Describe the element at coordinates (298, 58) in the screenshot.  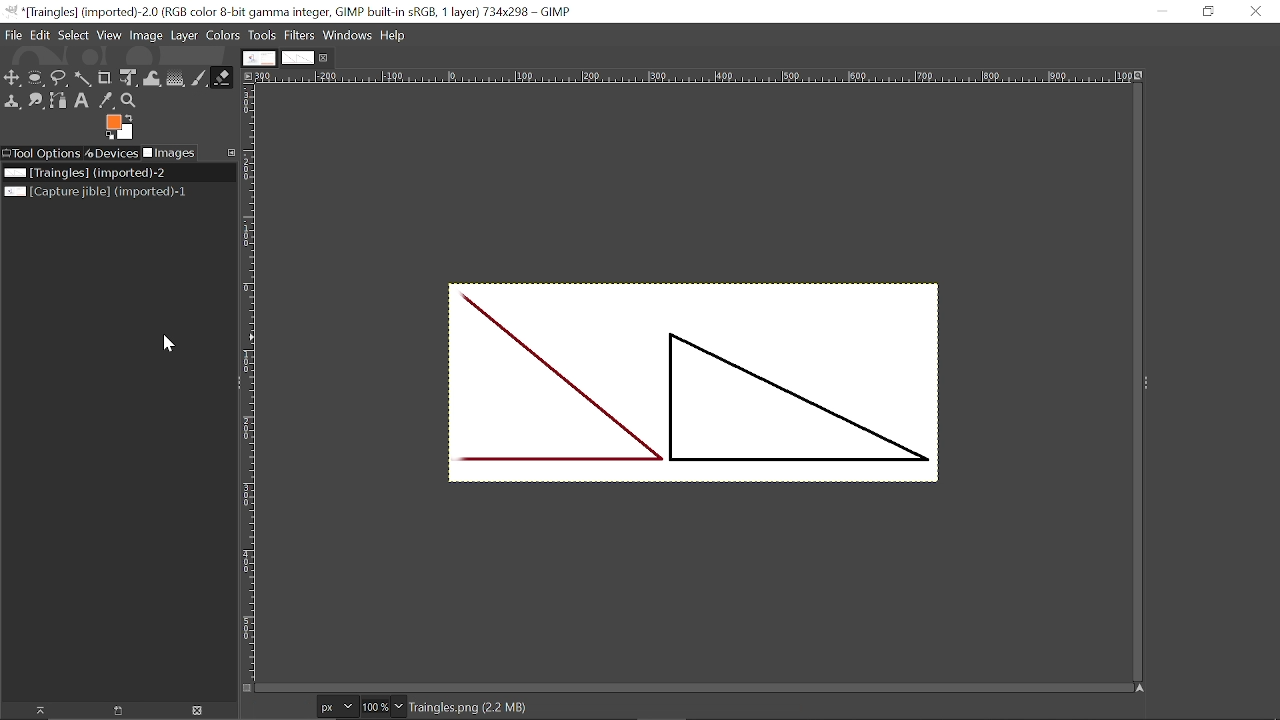
I see `Current tab` at that location.